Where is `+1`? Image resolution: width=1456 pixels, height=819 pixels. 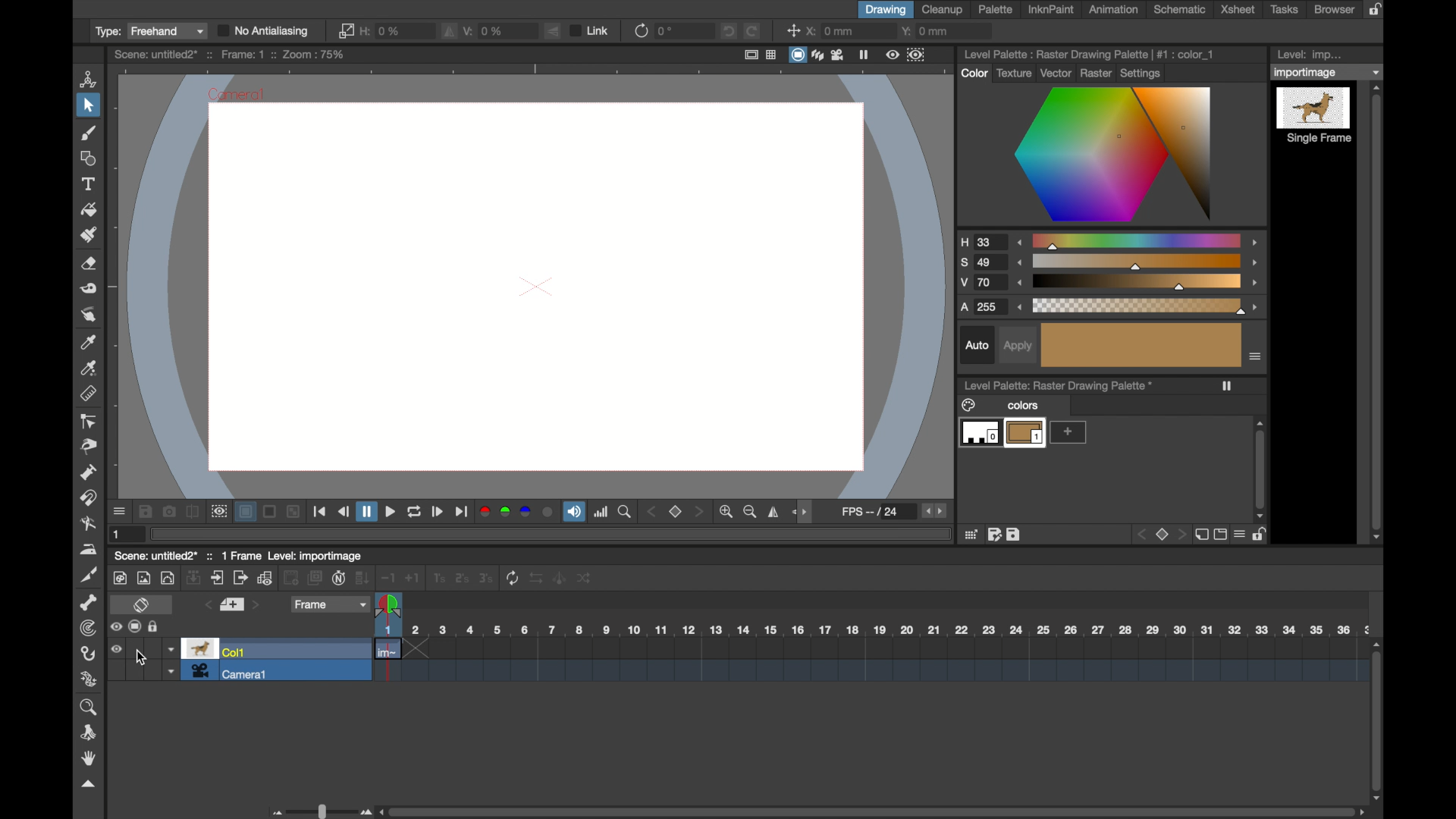 +1 is located at coordinates (413, 578).